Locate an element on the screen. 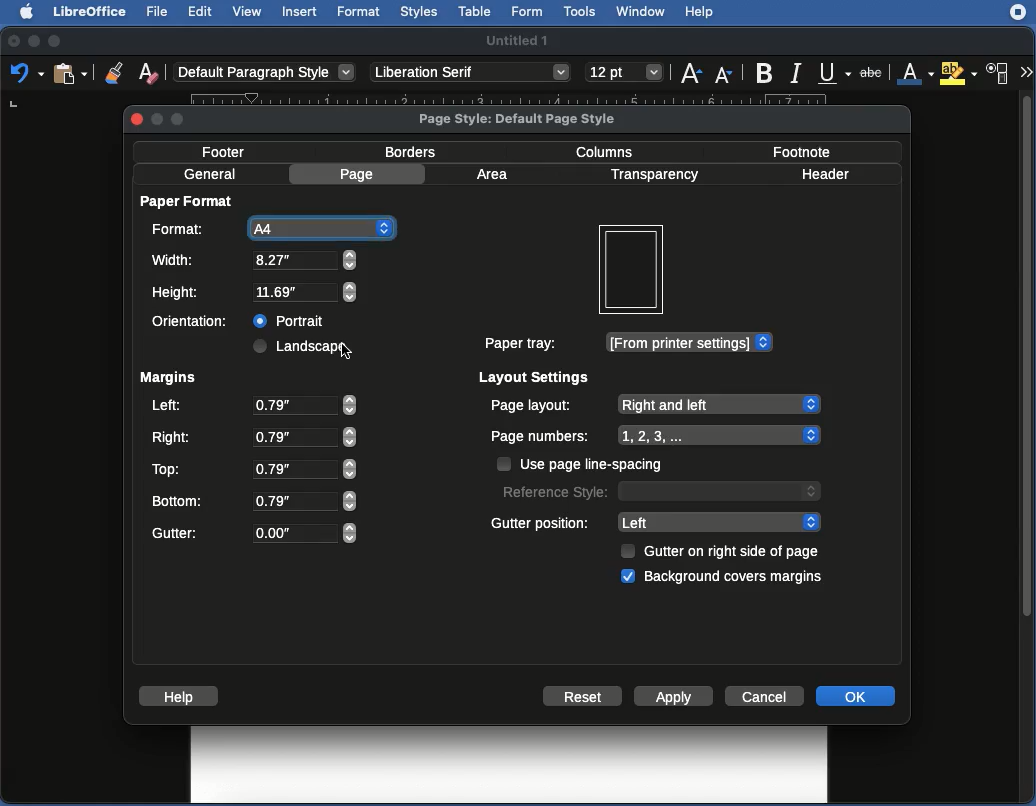 The image size is (1036, 806). checkbox is located at coordinates (505, 463).